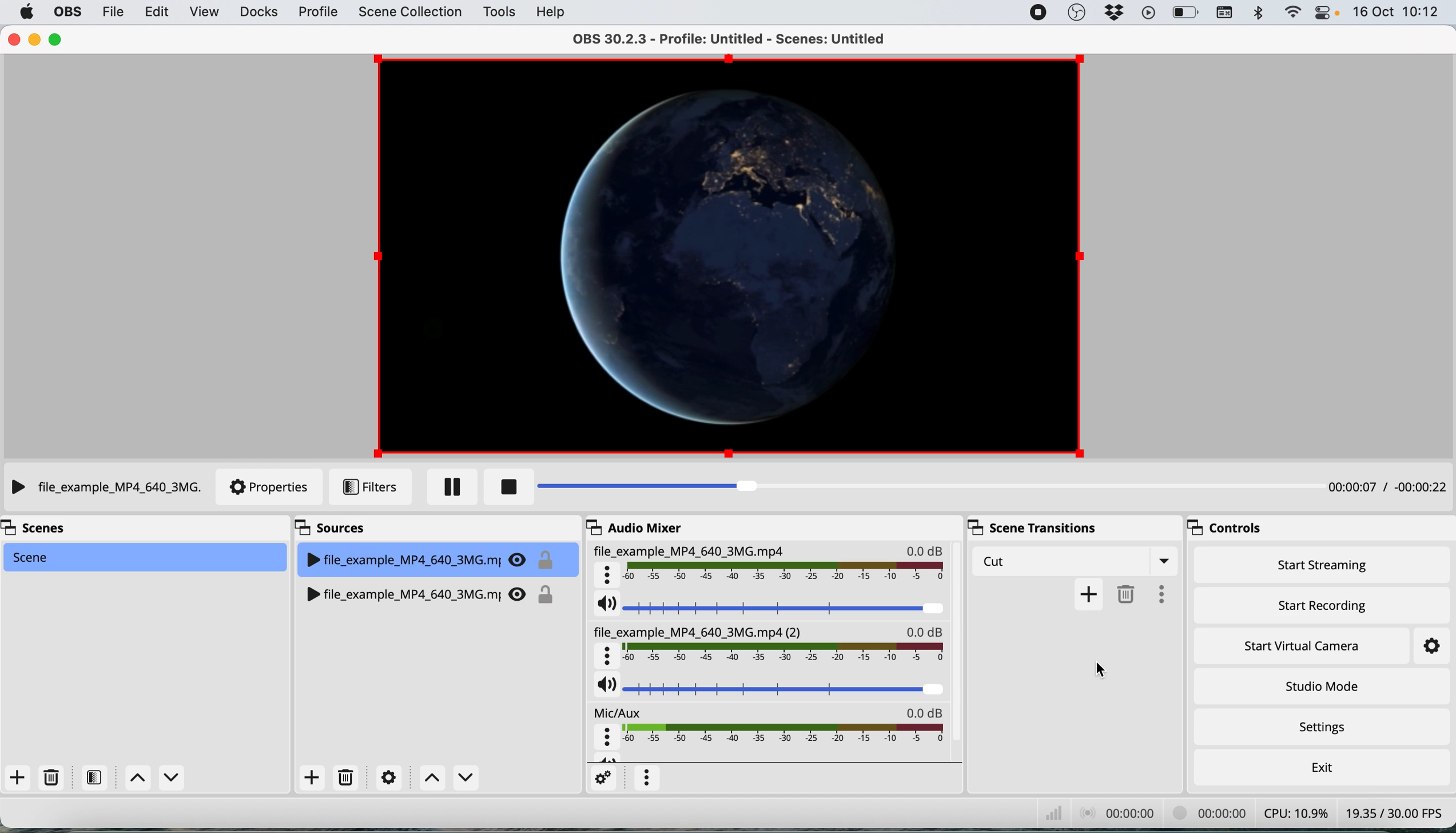 The height and width of the screenshot is (833, 1456). What do you see at coordinates (205, 13) in the screenshot?
I see `view` at bounding box center [205, 13].